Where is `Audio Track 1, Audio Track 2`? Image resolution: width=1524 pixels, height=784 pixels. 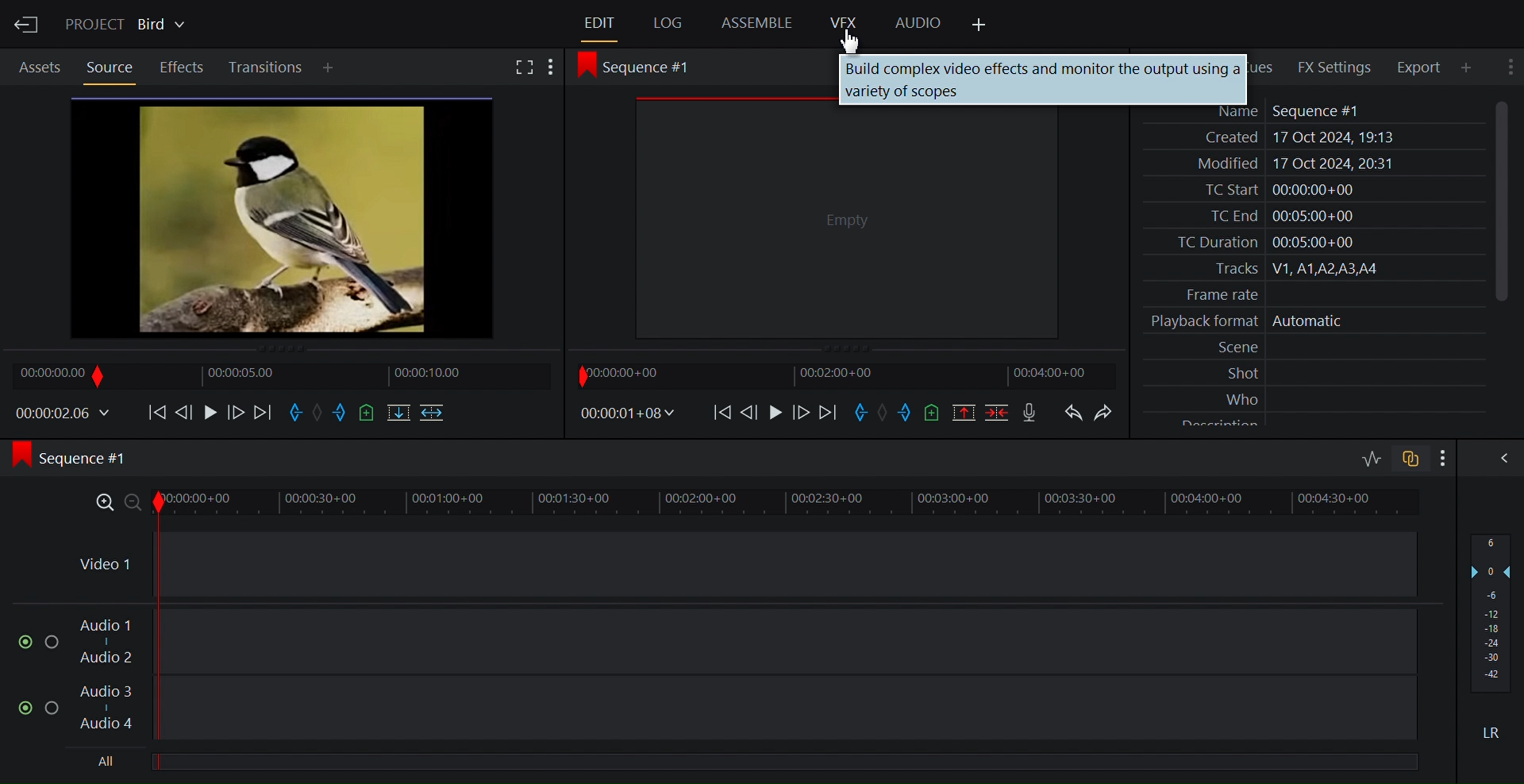 Audio Track 1, Audio Track 2 is located at coordinates (742, 643).